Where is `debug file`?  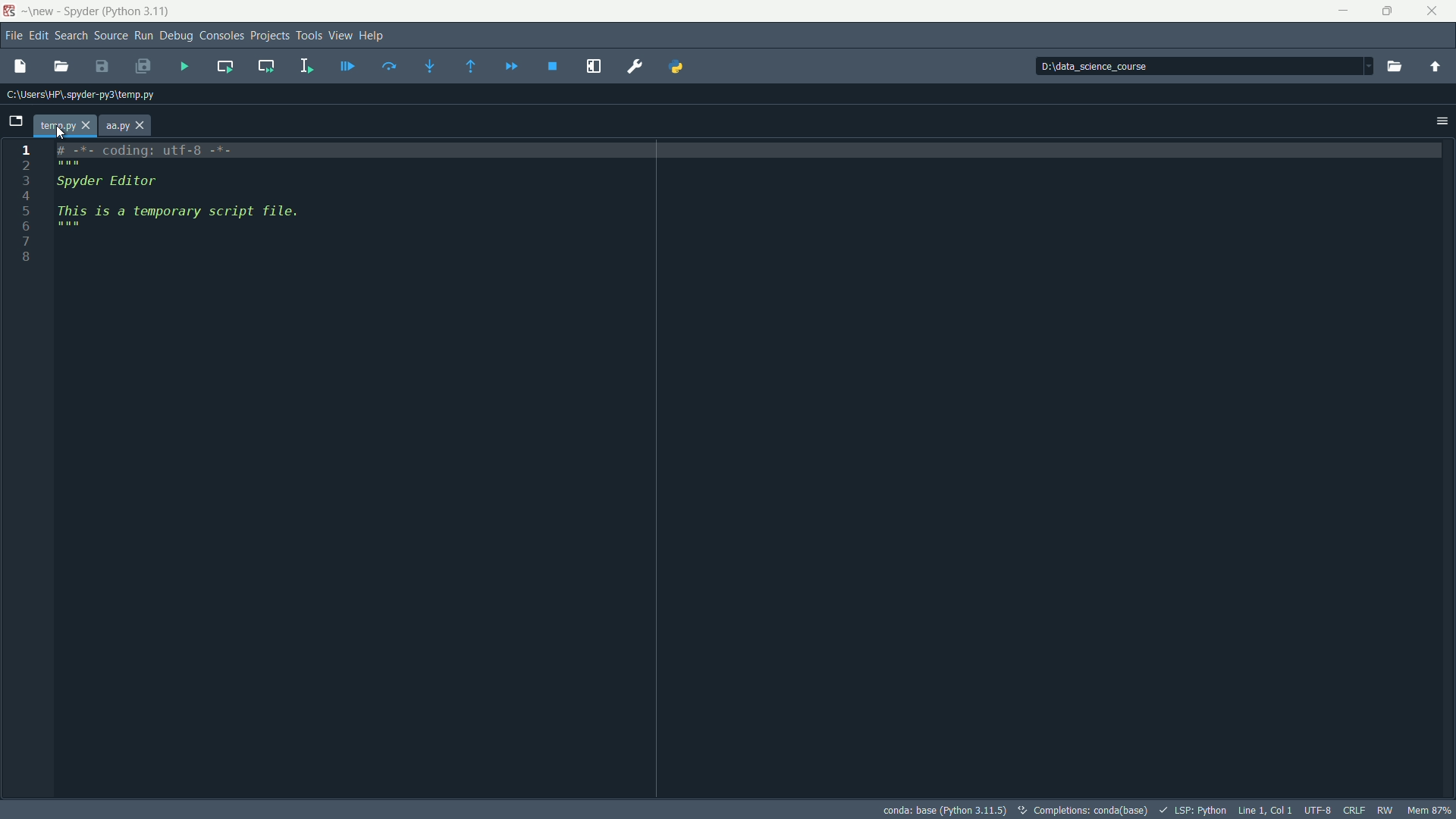
debug file is located at coordinates (347, 67).